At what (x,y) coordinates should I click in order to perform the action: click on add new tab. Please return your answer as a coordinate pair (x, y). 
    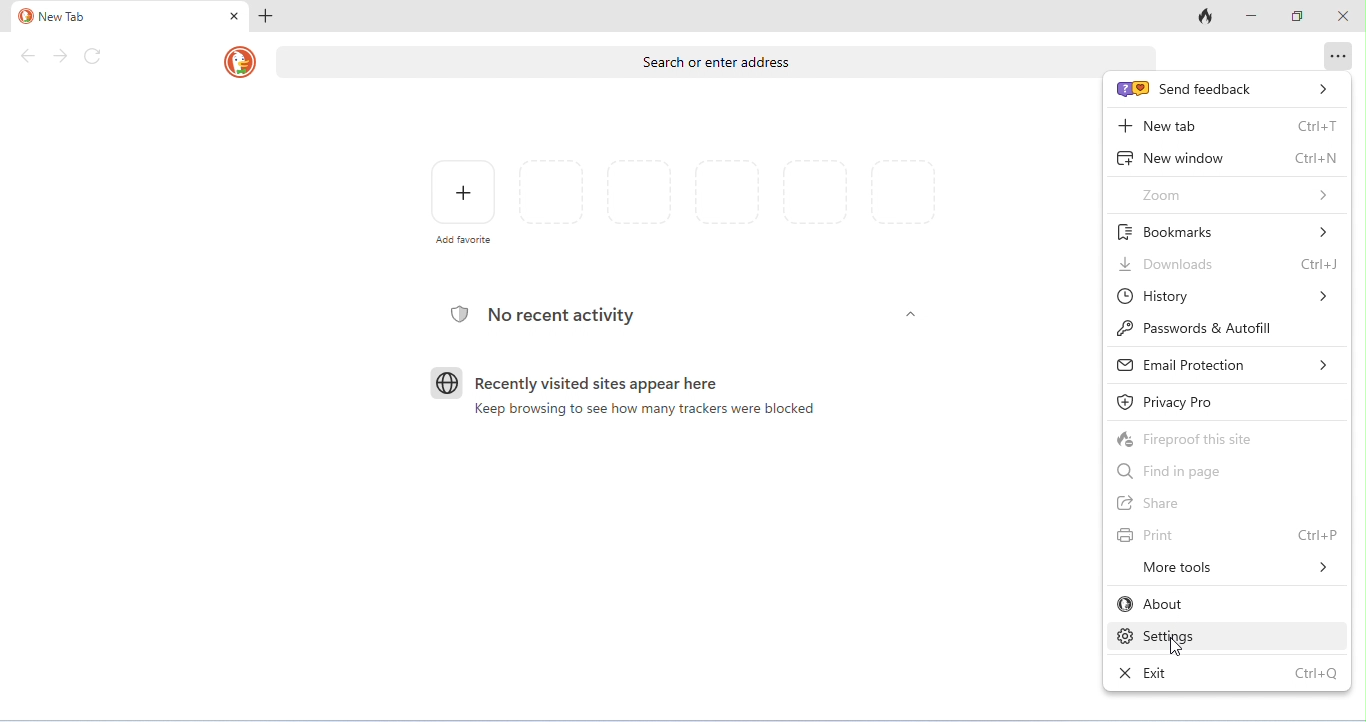
    Looking at the image, I should click on (270, 17).